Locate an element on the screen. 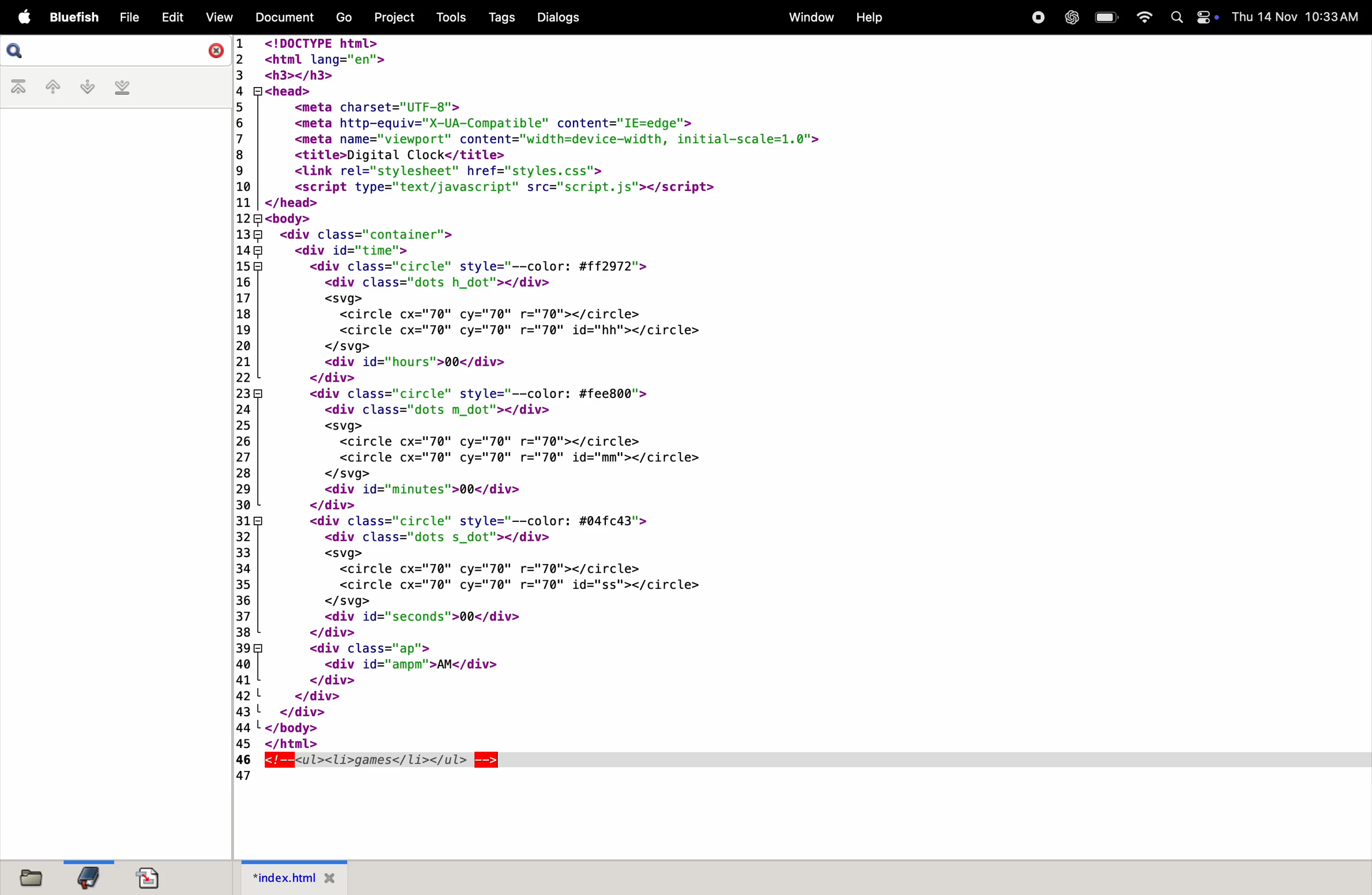  Date and time is located at coordinates (1297, 16).